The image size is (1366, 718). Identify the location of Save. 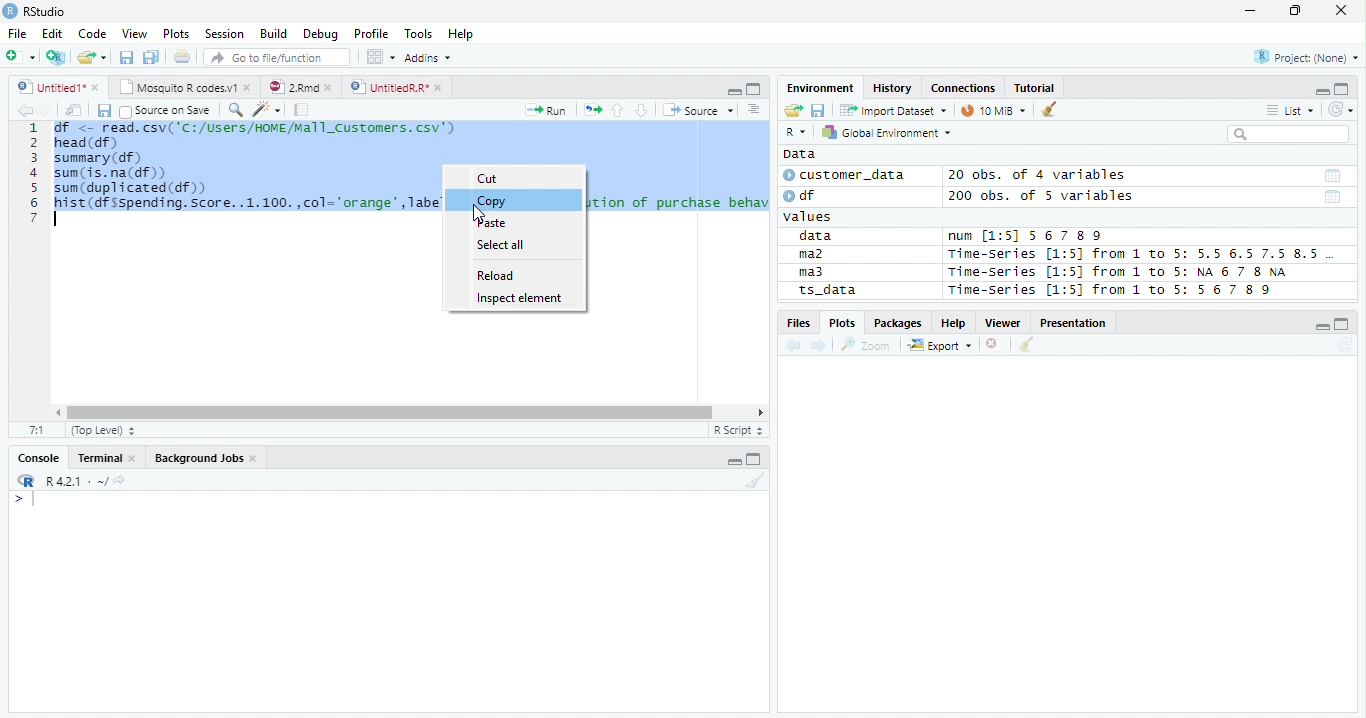
(103, 110).